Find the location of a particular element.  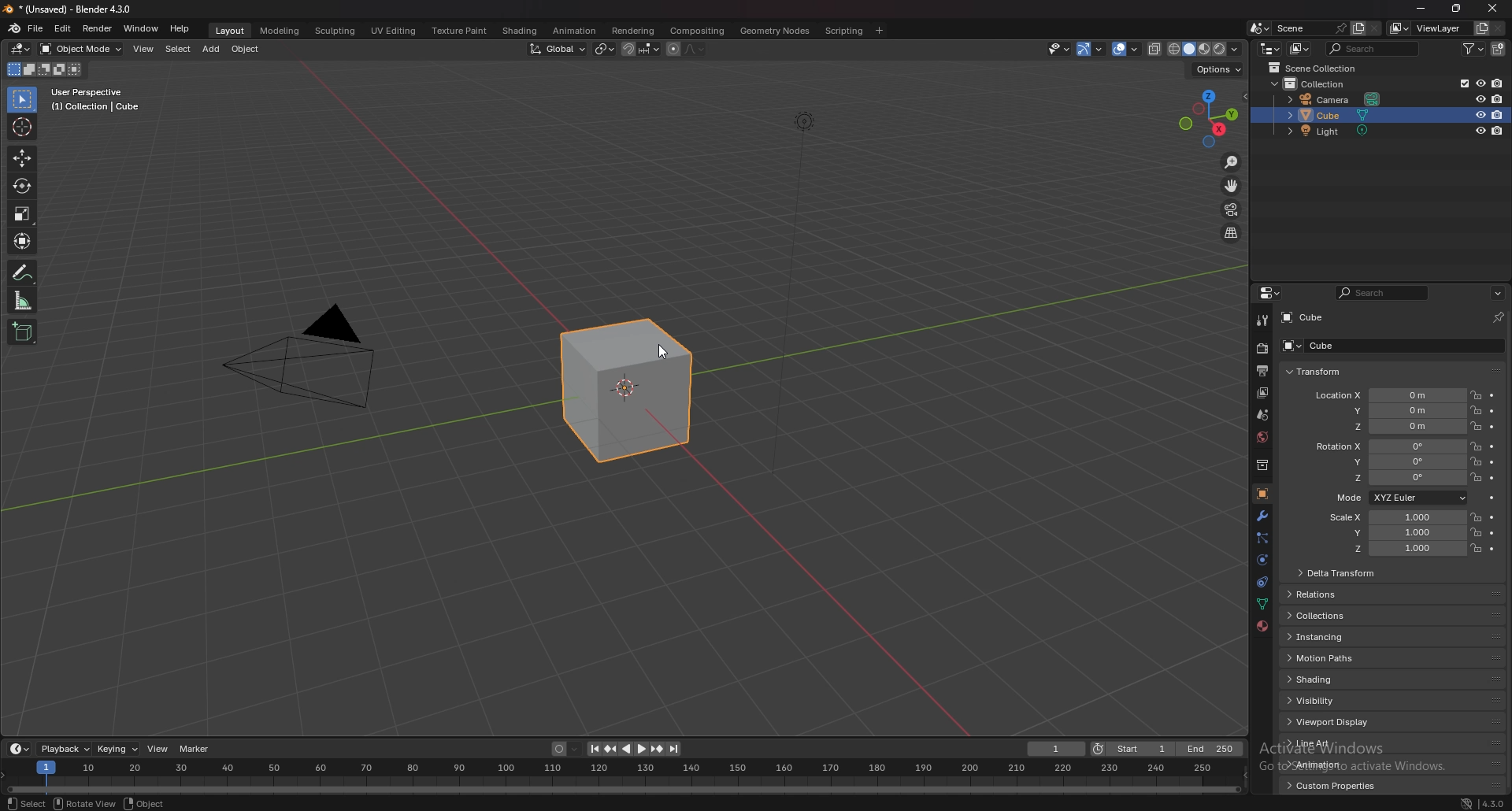

cube is located at coordinates (1368, 346).